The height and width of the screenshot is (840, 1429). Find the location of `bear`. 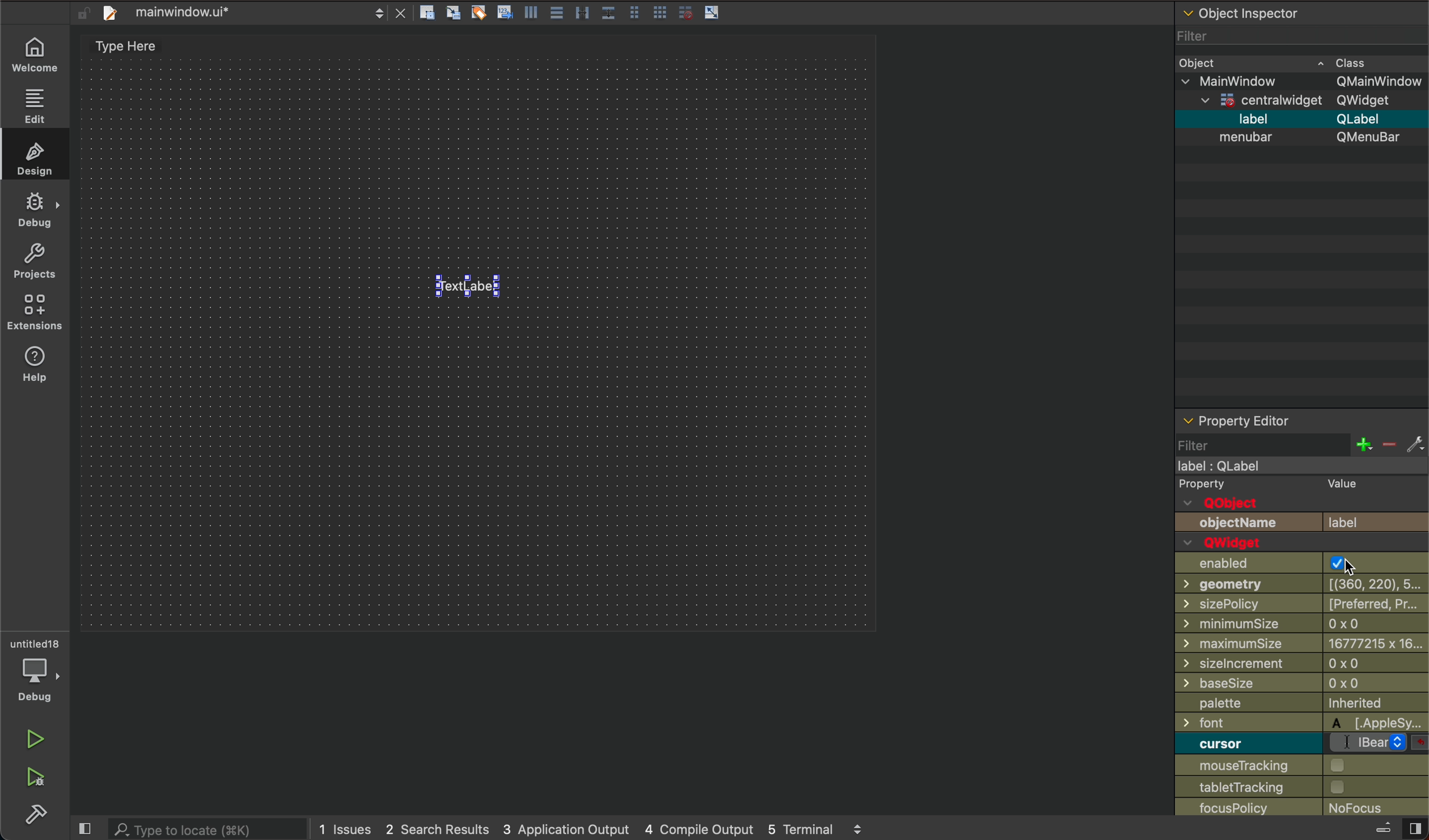

bear is located at coordinates (1377, 743).